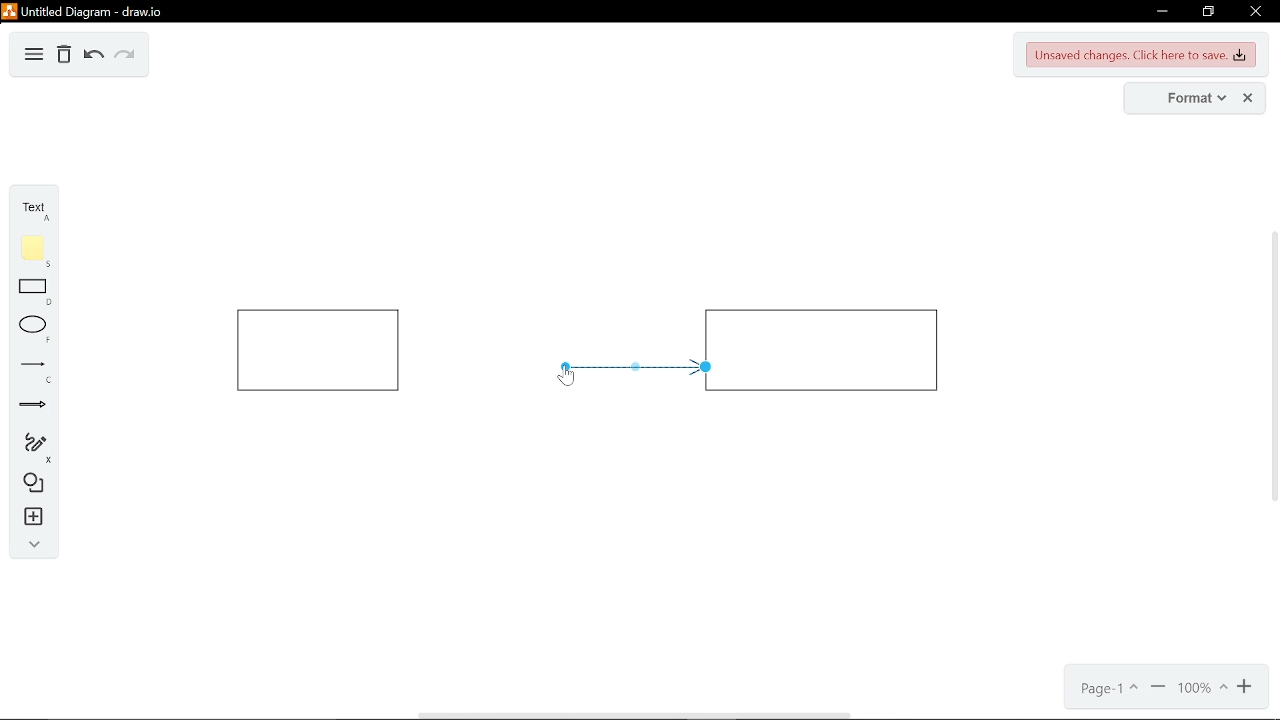 Image resolution: width=1280 pixels, height=720 pixels. Describe the element at coordinates (1201, 689) in the screenshot. I see `current zoom` at that location.